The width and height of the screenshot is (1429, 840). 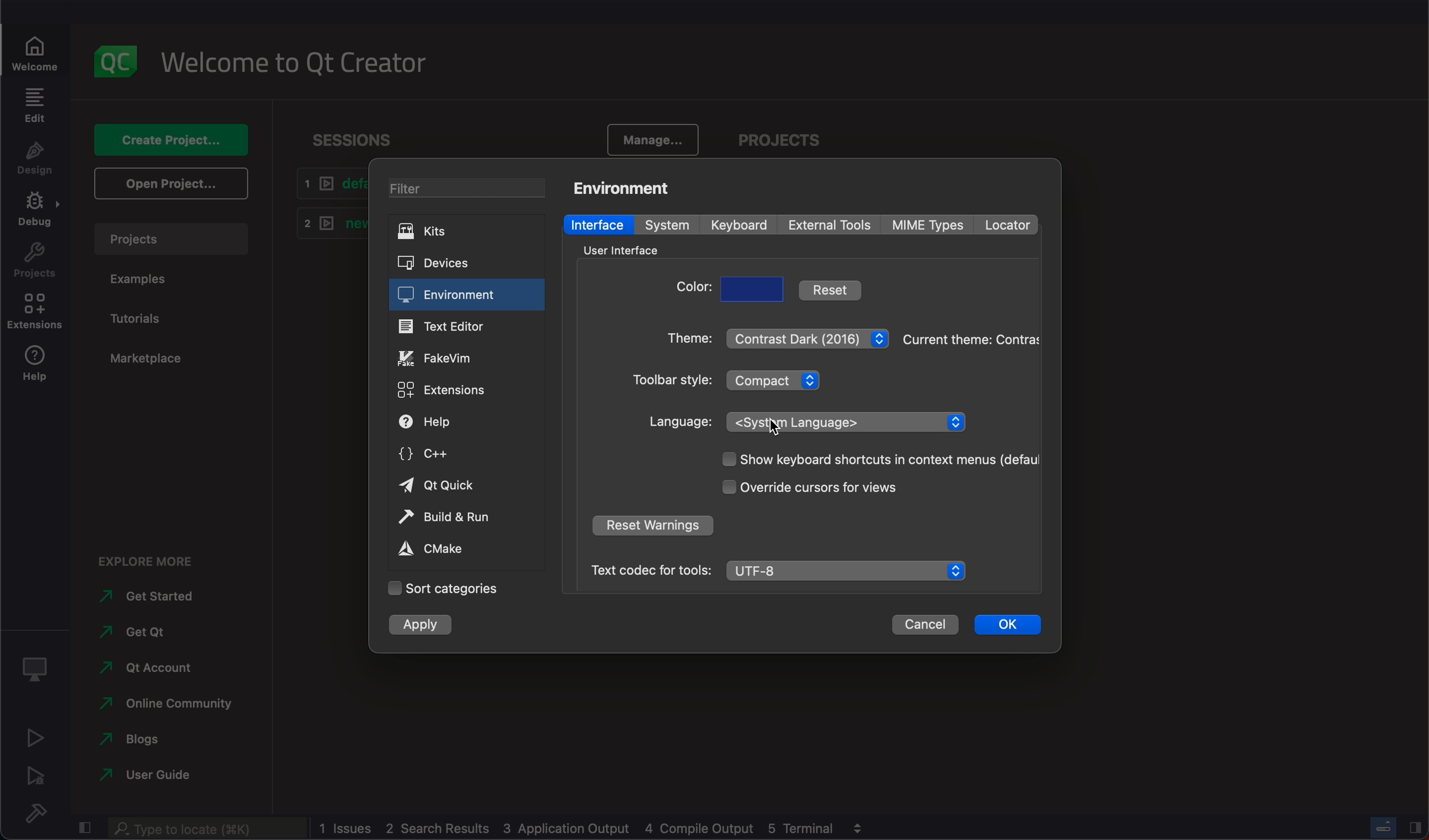 What do you see at coordinates (467, 420) in the screenshot?
I see `help` at bounding box center [467, 420].